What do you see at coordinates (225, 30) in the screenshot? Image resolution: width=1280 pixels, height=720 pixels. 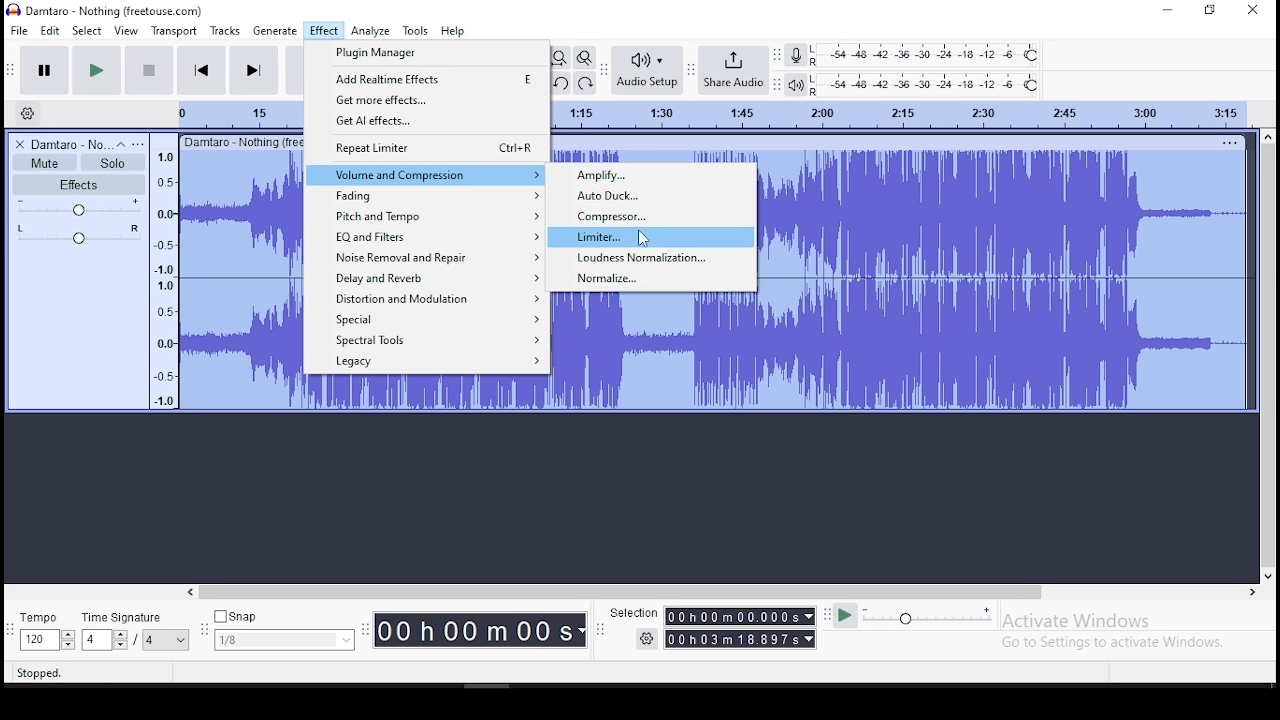 I see `tracks` at bounding box center [225, 30].